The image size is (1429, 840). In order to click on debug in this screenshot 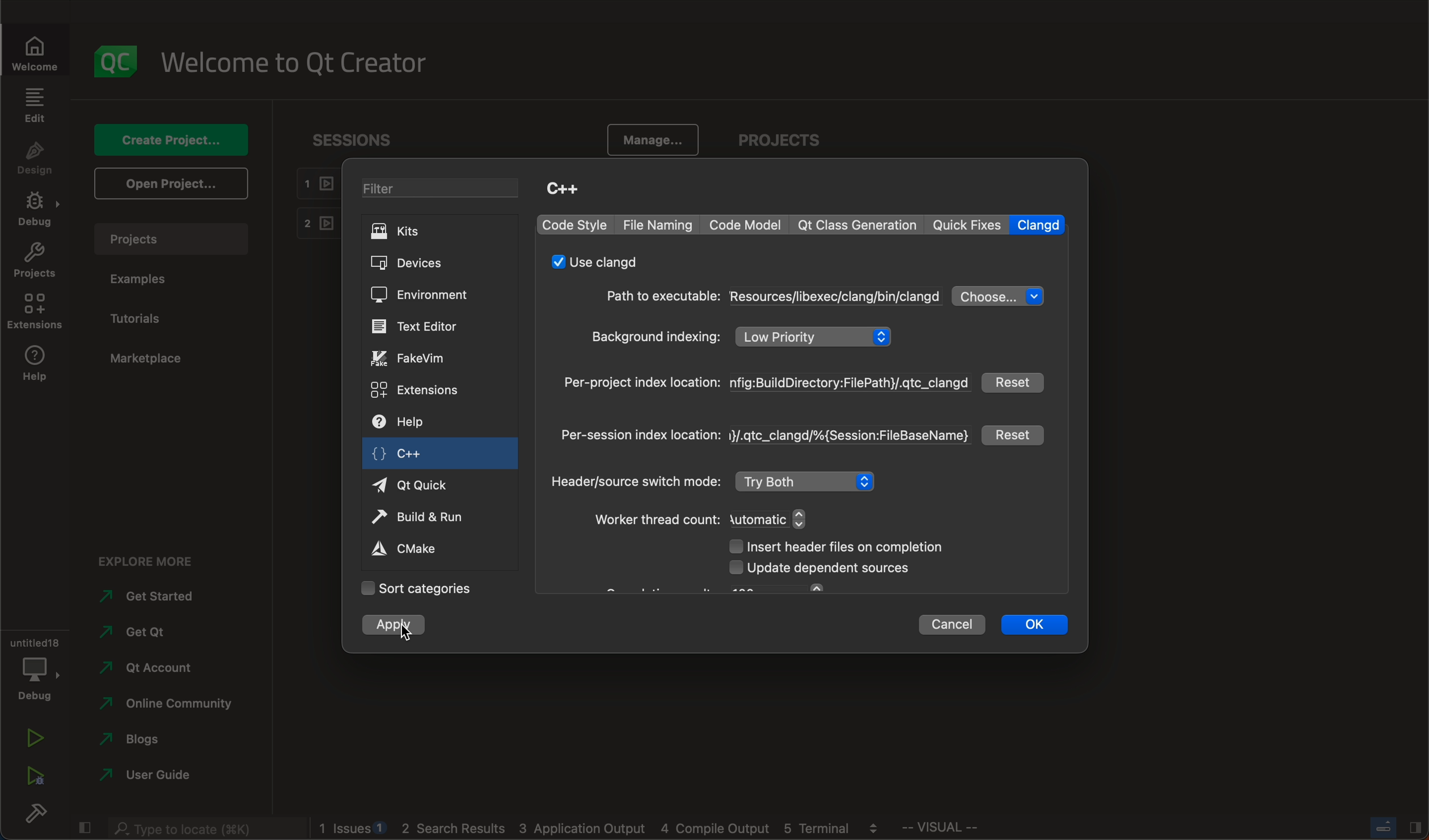, I will do `click(37, 672)`.